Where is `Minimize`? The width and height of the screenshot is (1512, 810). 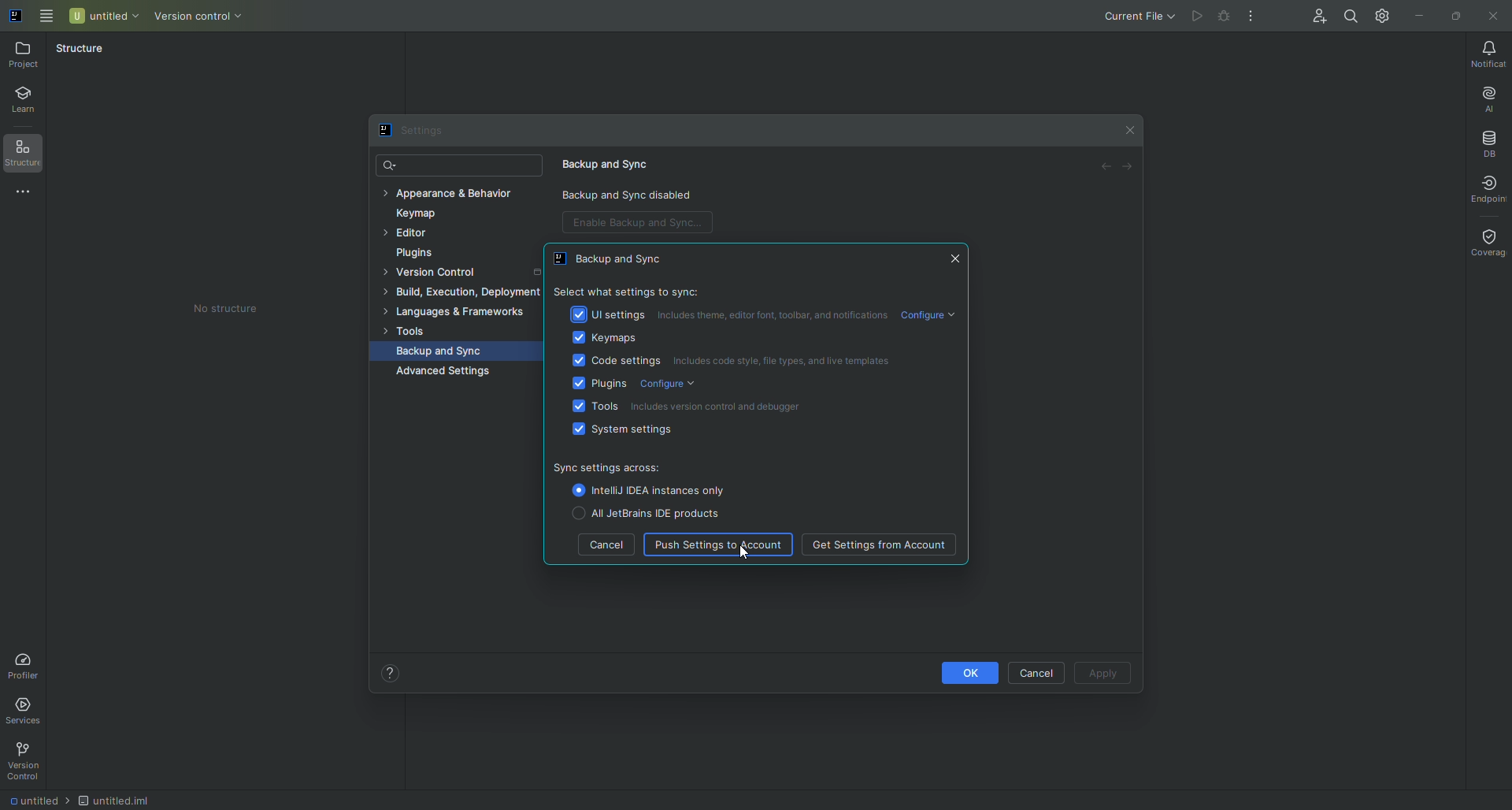 Minimize is located at coordinates (1418, 14).